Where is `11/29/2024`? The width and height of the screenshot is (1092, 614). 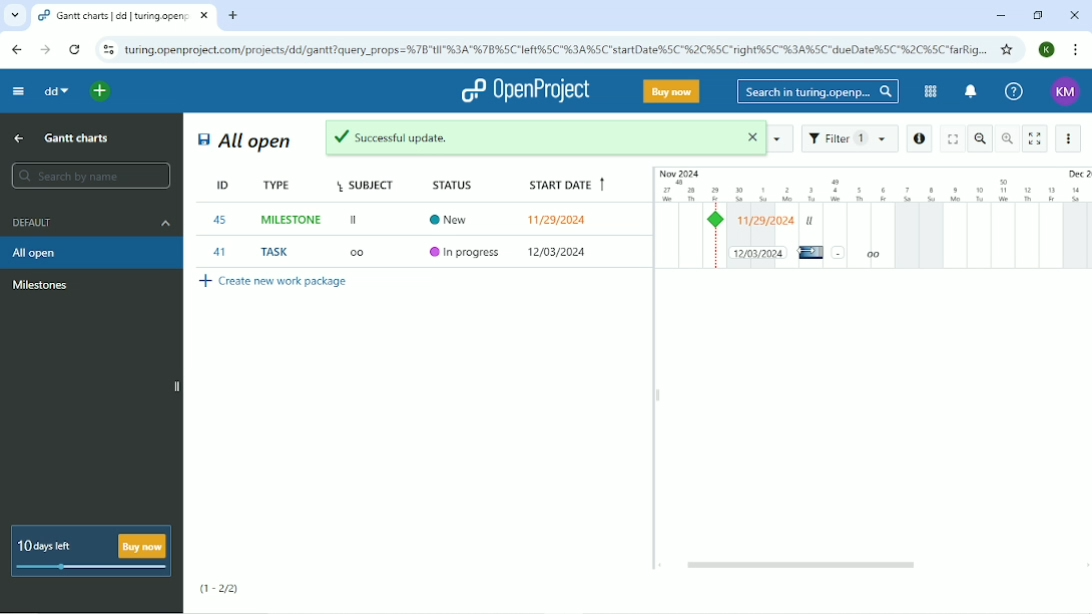
11/29/2024 is located at coordinates (559, 253).